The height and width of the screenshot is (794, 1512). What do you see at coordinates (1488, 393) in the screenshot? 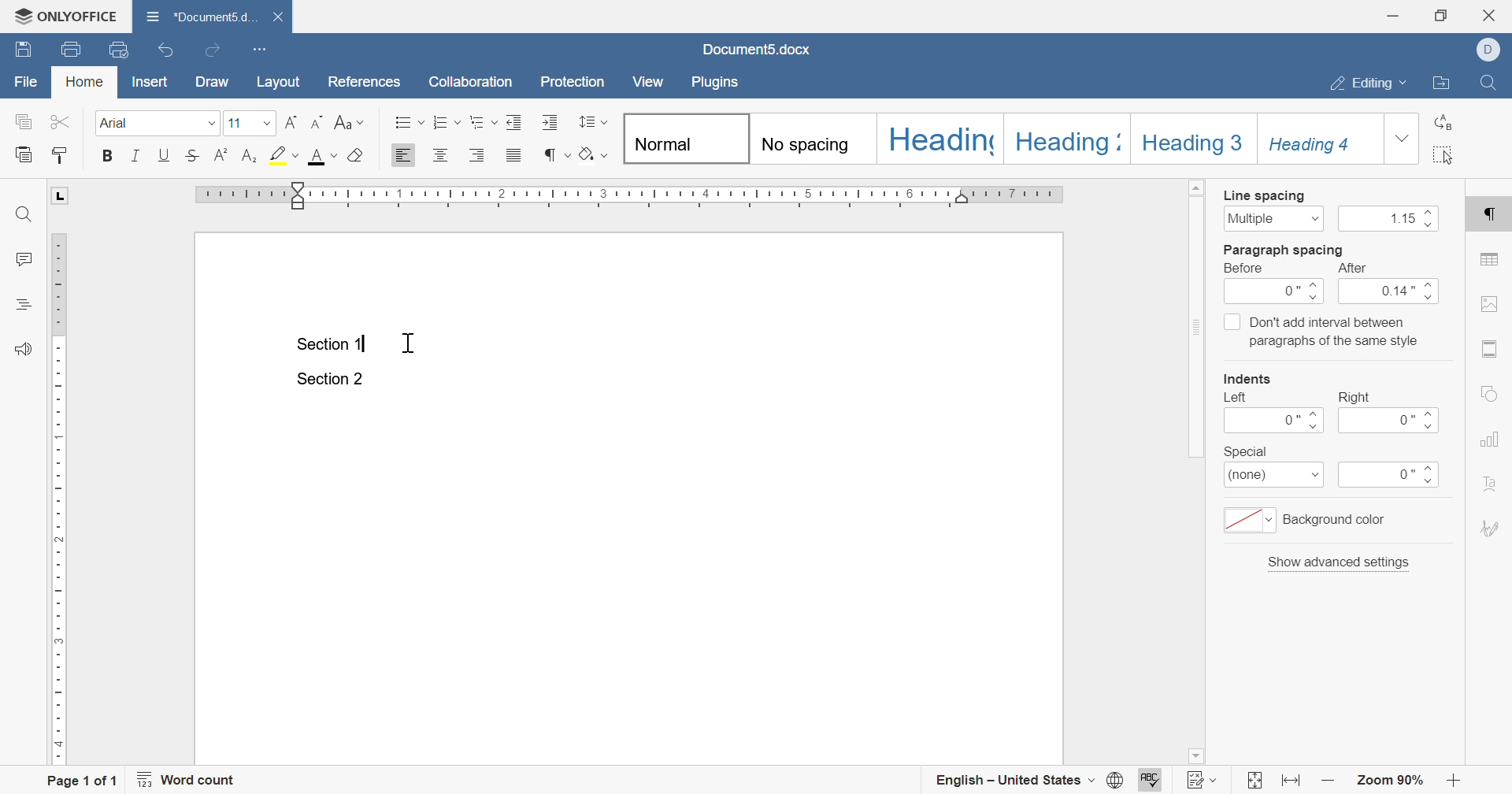
I see `shape settings` at bounding box center [1488, 393].